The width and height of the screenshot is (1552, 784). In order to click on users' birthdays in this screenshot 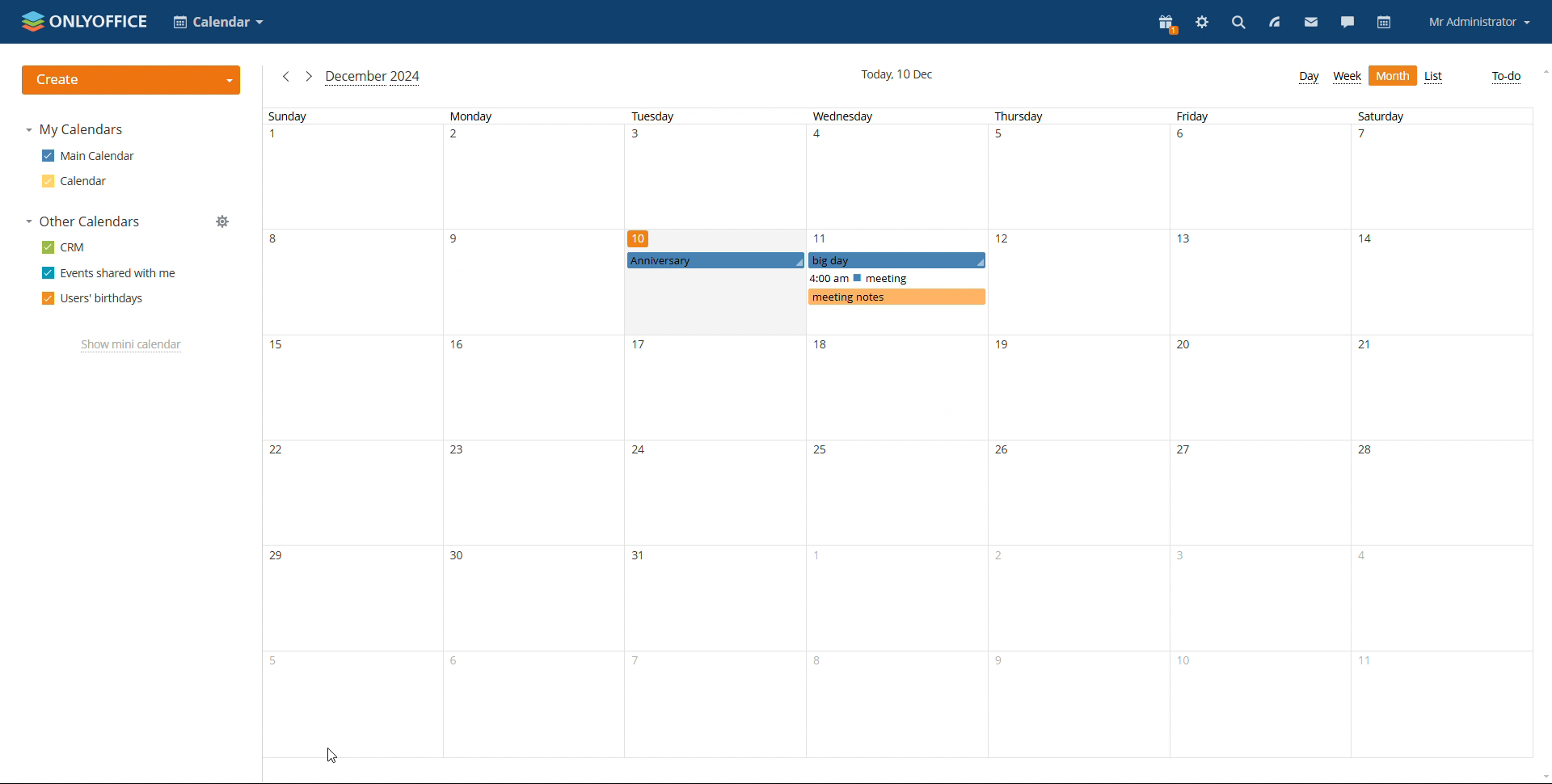, I will do `click(93, 298)`.